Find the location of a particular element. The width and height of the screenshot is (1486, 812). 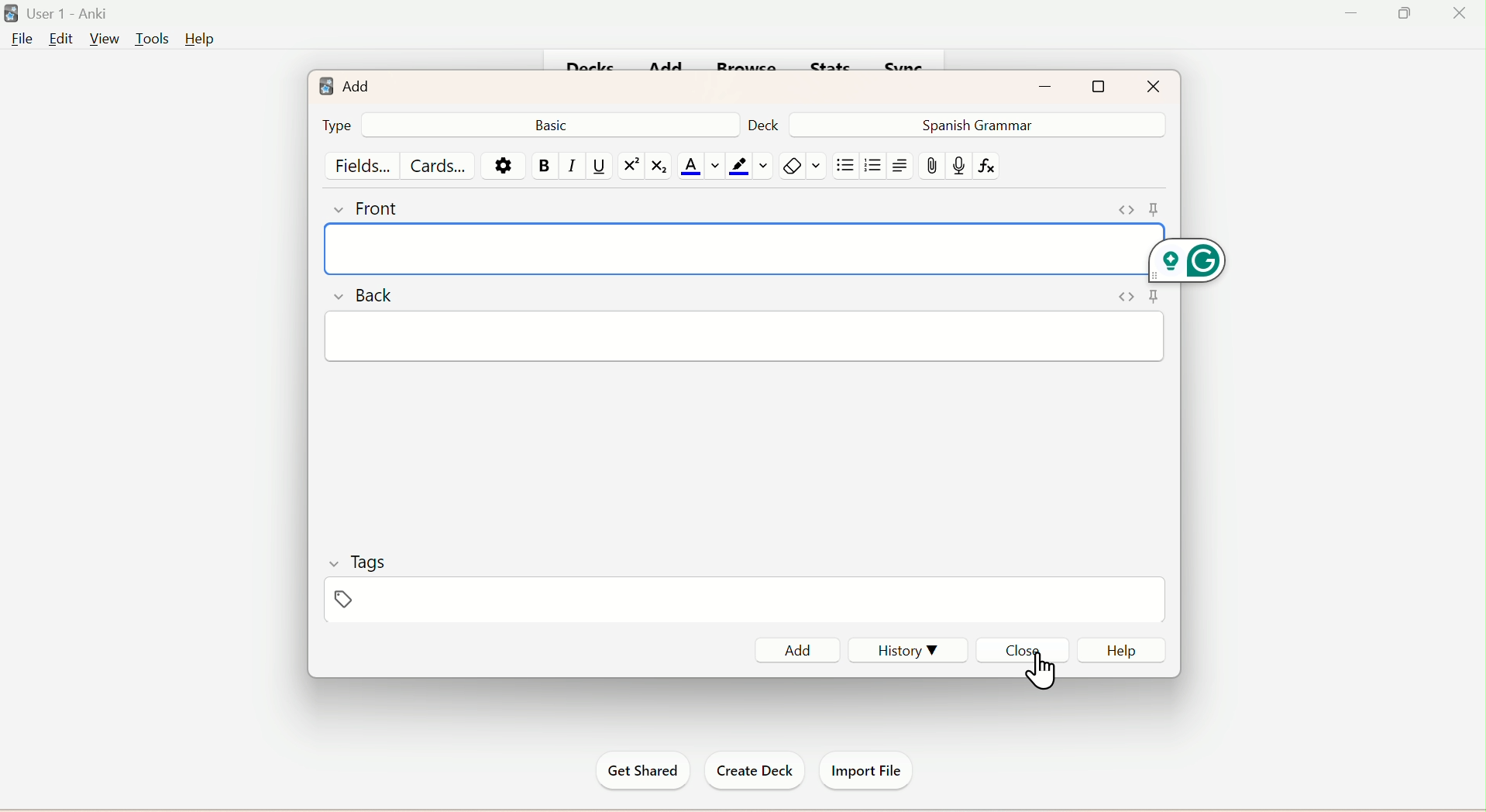

Import File is located at coordinates (865, 769).